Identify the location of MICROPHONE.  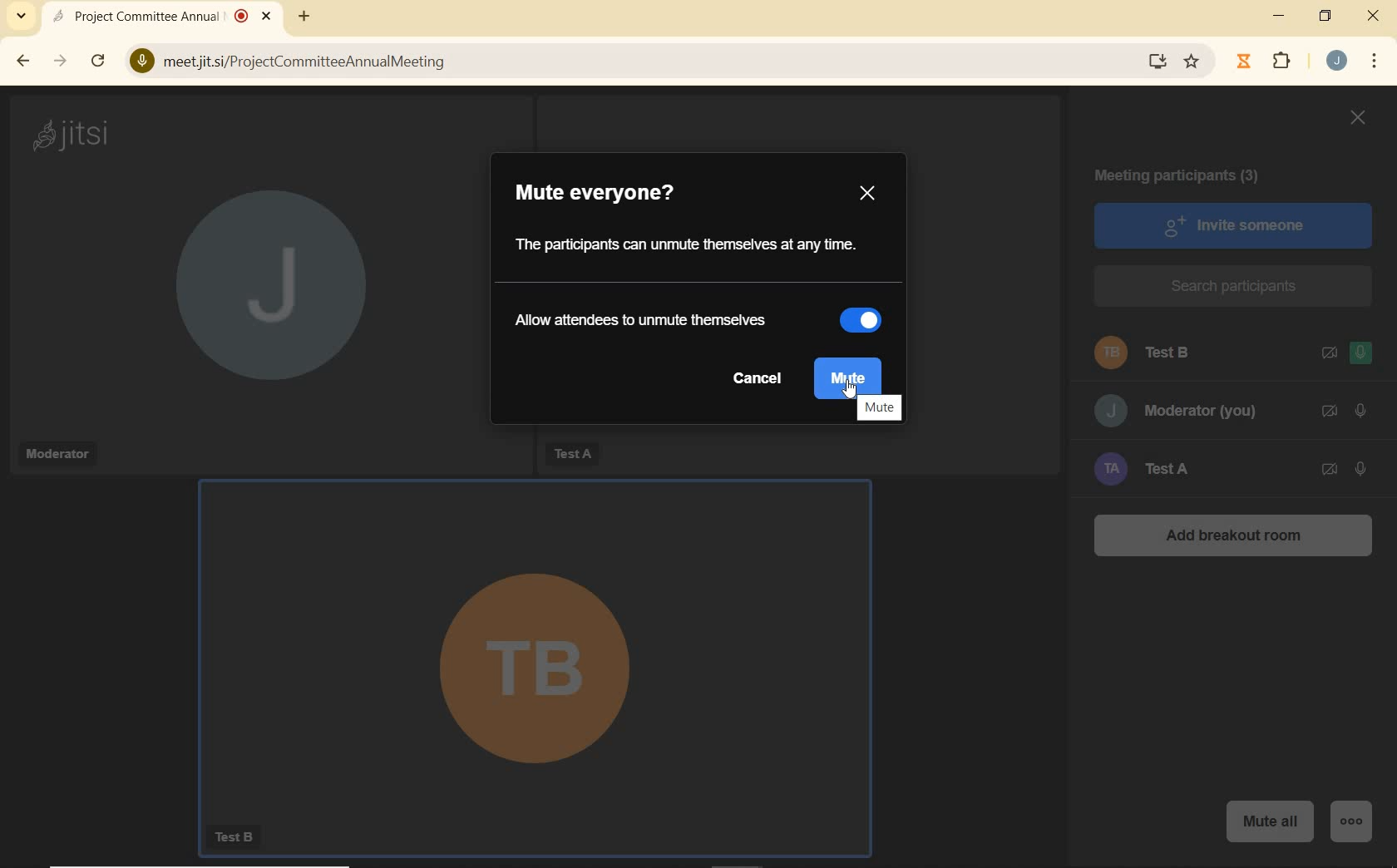
(1360, 468).